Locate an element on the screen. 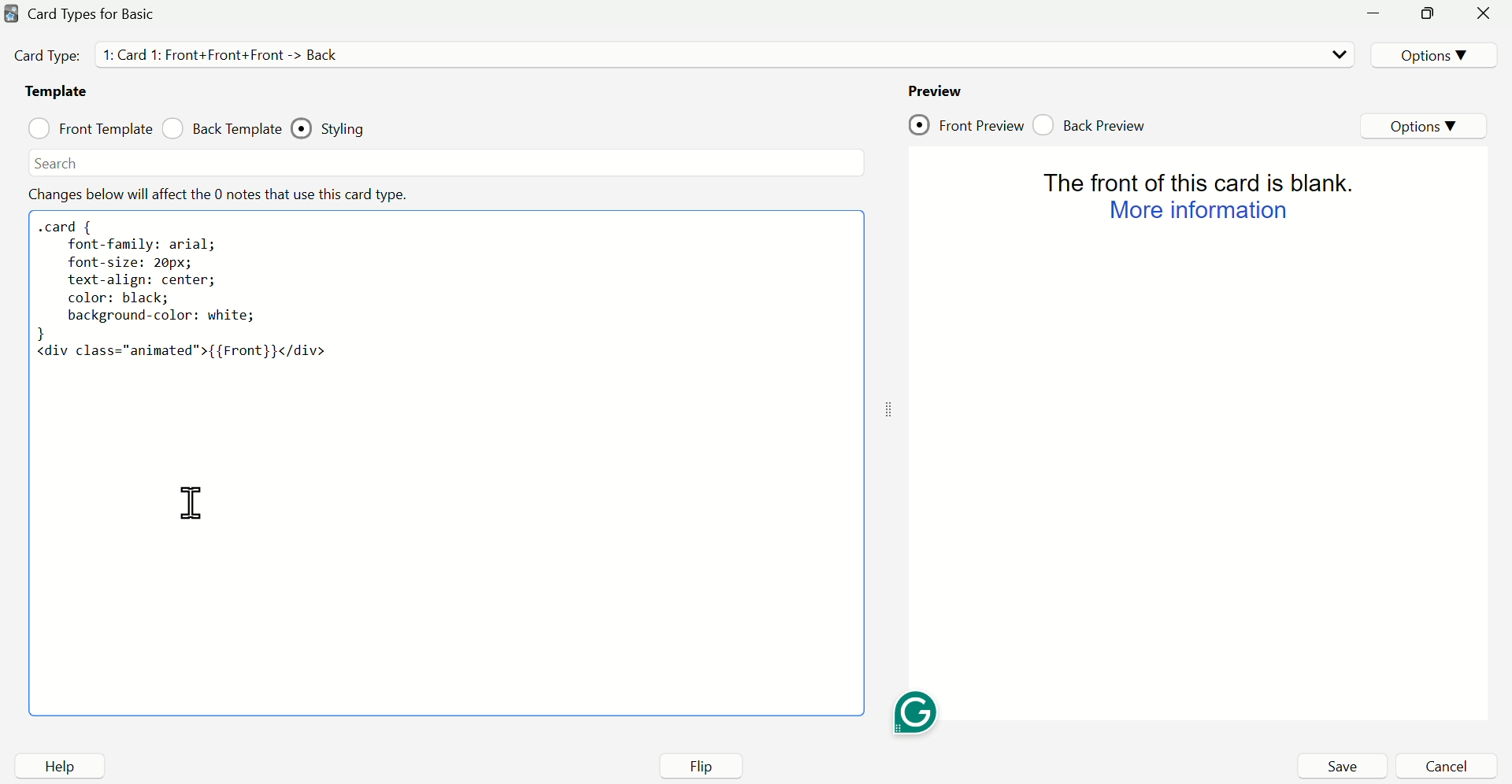 The height and width of the screenshot is (784, 1512). Save is located at coordinates (1341, 766).